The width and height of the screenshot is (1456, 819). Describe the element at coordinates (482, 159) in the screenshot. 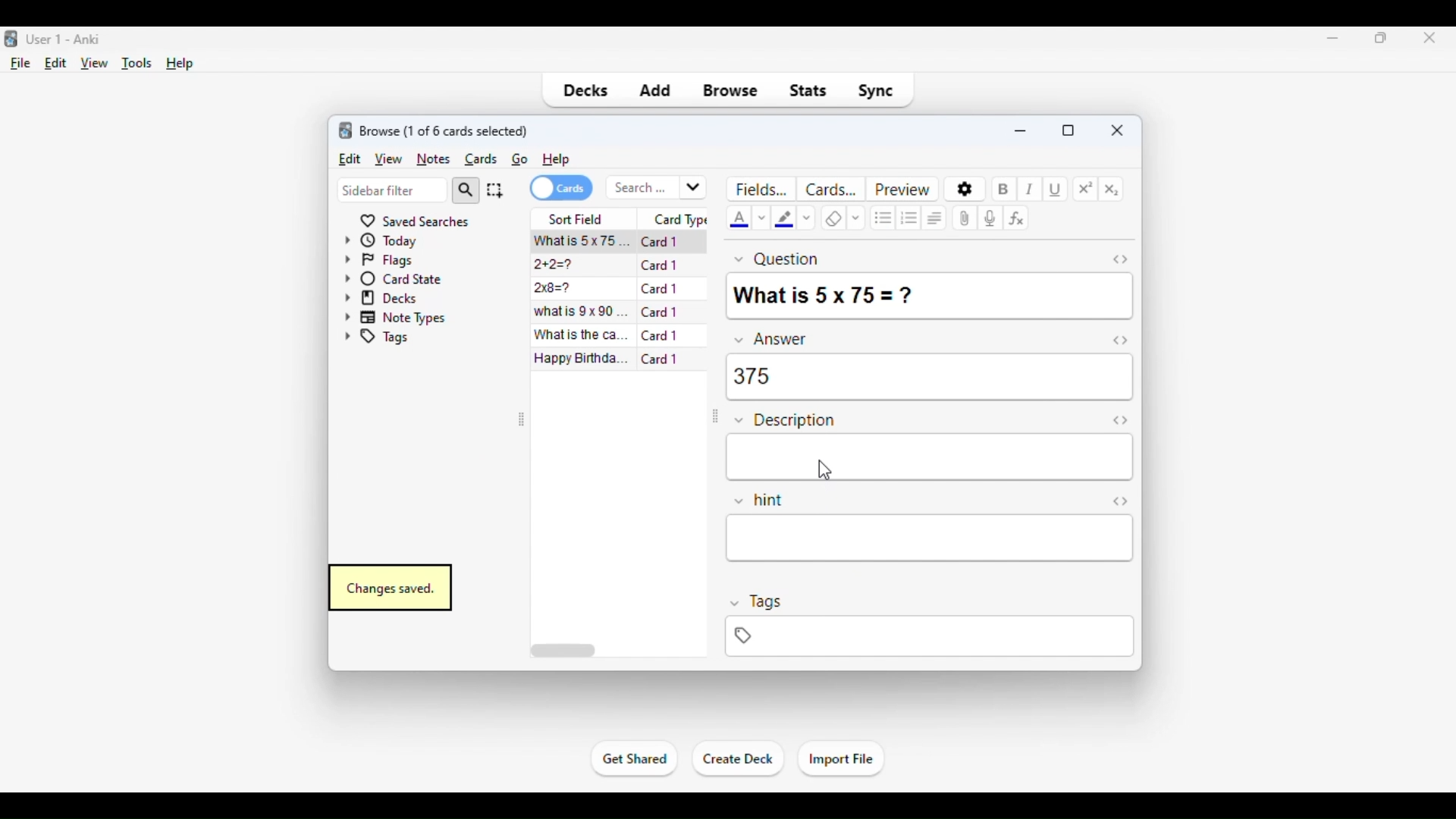

I see `cards` at that location.